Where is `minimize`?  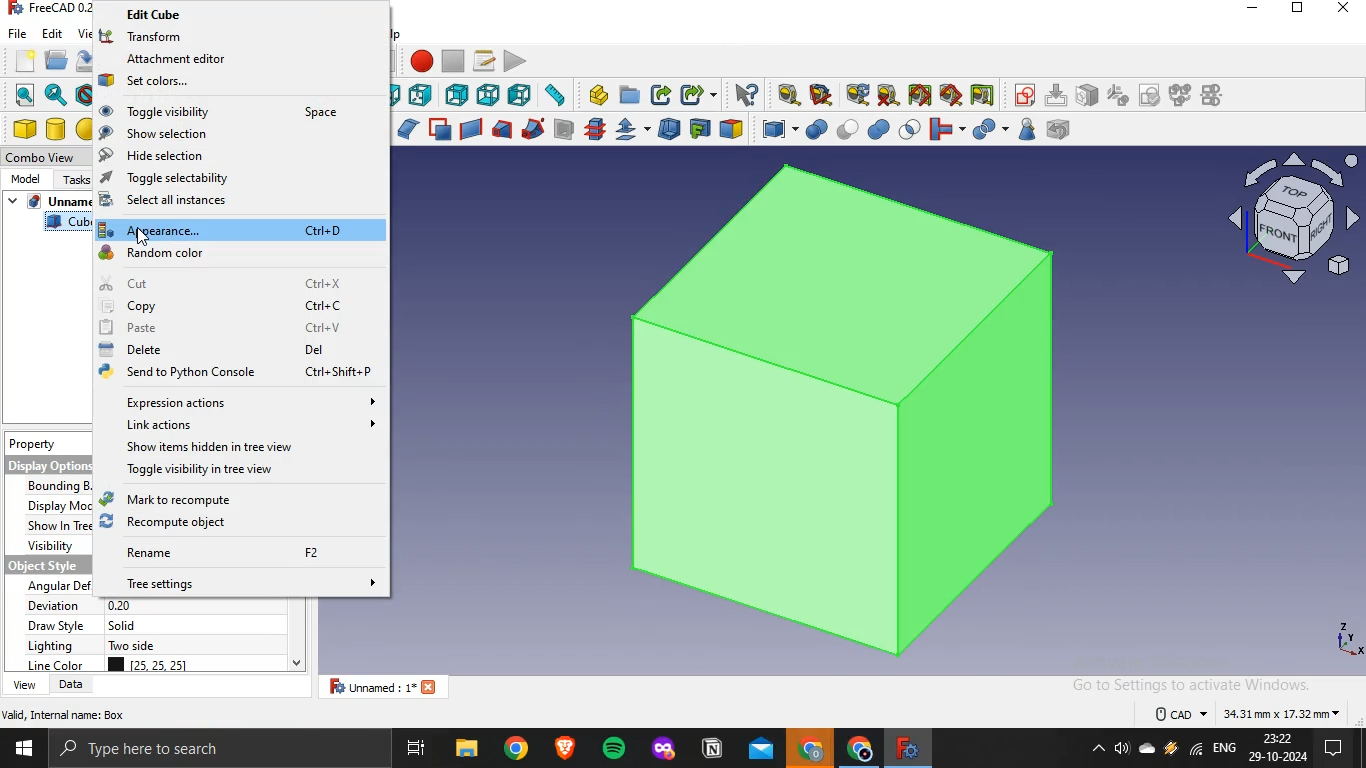 minimize is located at coordinates (1252, 9).